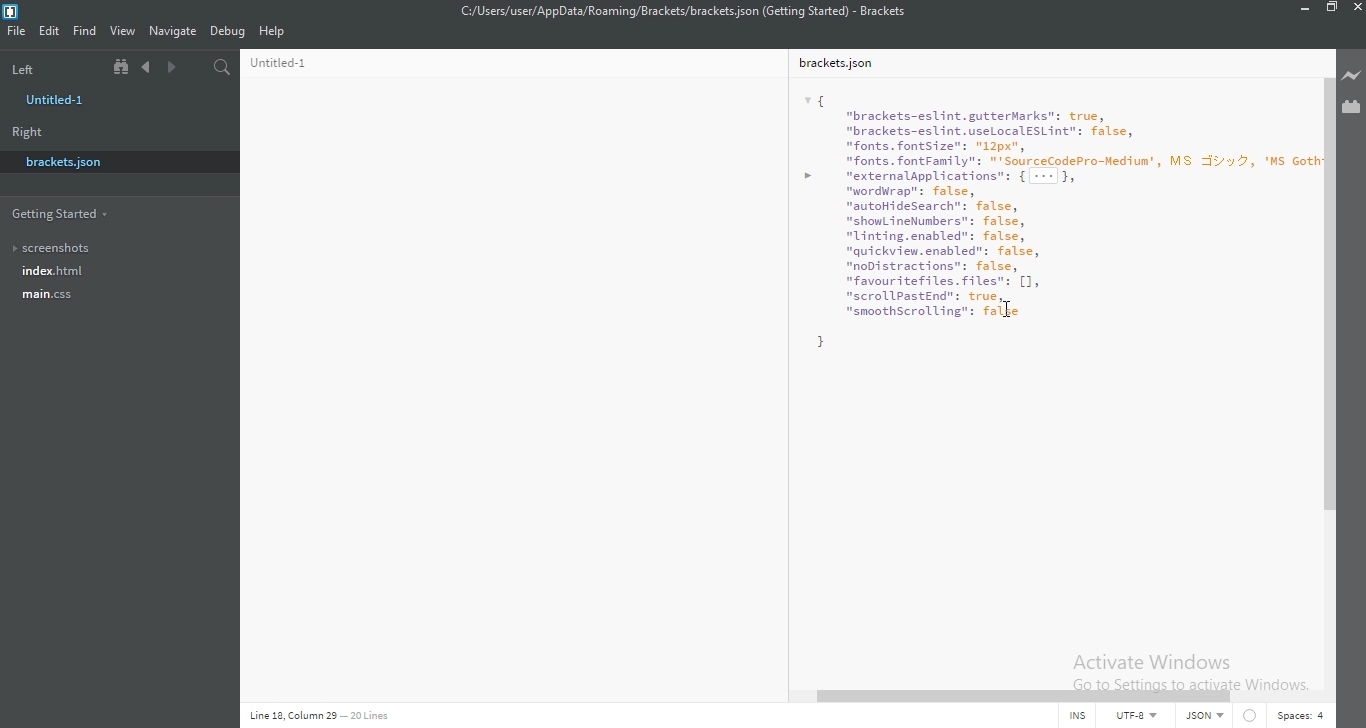 This screenshot has width=1366, height=728. Describe the element at coordinates (1332, 9) in the screenshot. I see `Restore` at that location.